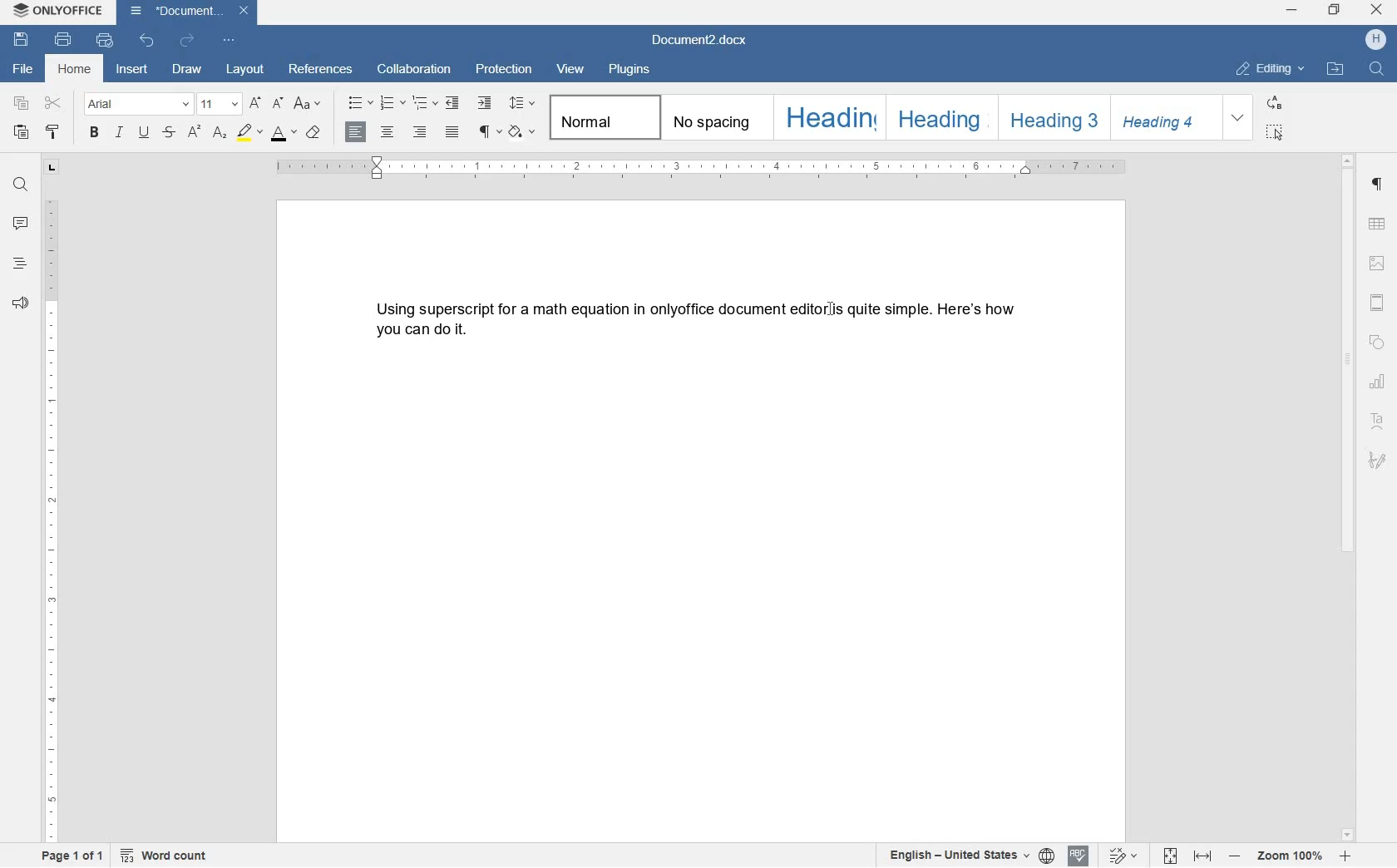  What do you see at coordinates (169, 133) in the screenshot?
I see `strikethrough` at bounding box center [169, 133].